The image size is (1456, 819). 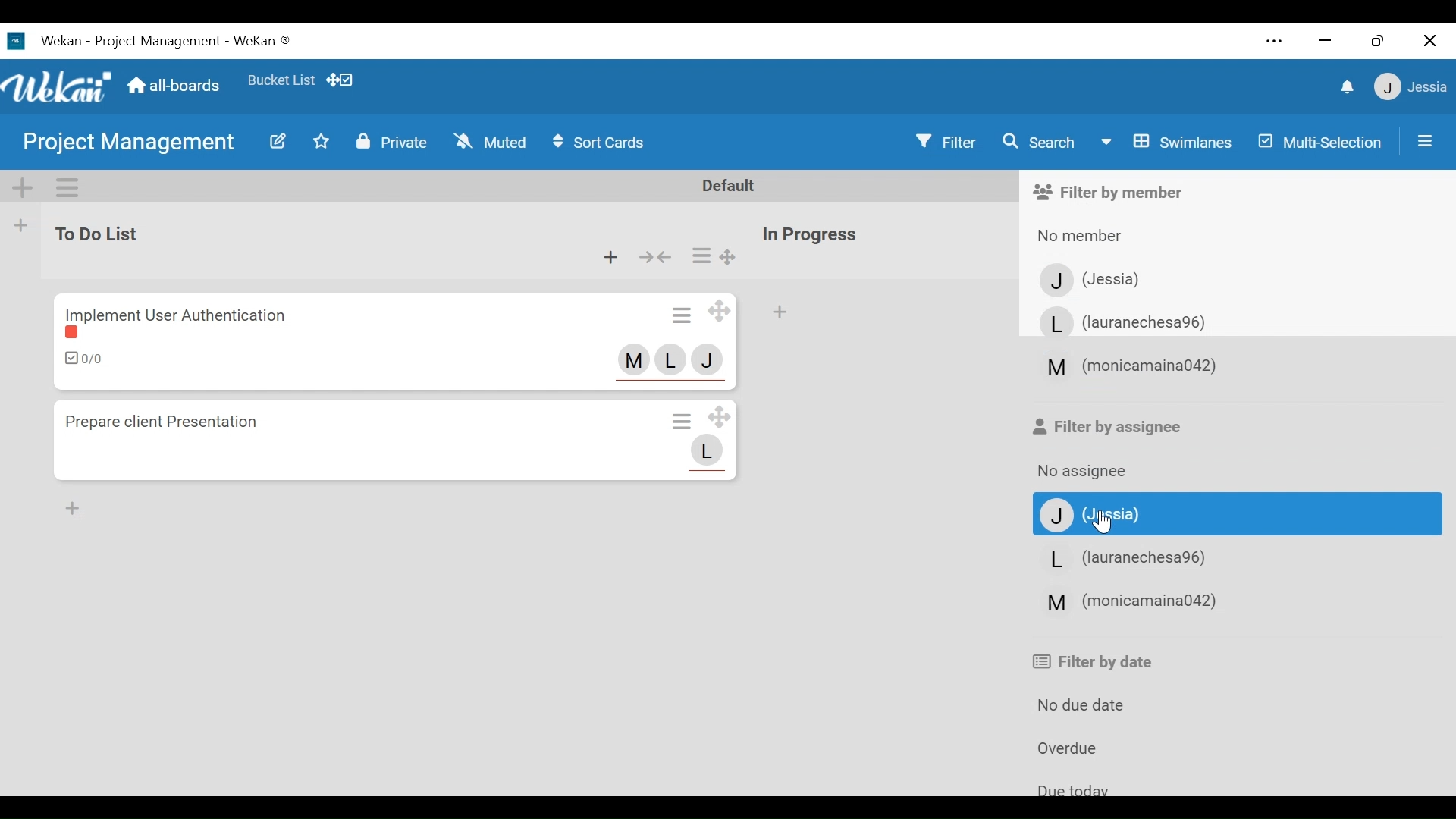 What do you see at coordinates (21, 227) in the screenshot?
I see `Add List` at bounding box center [21, 227].